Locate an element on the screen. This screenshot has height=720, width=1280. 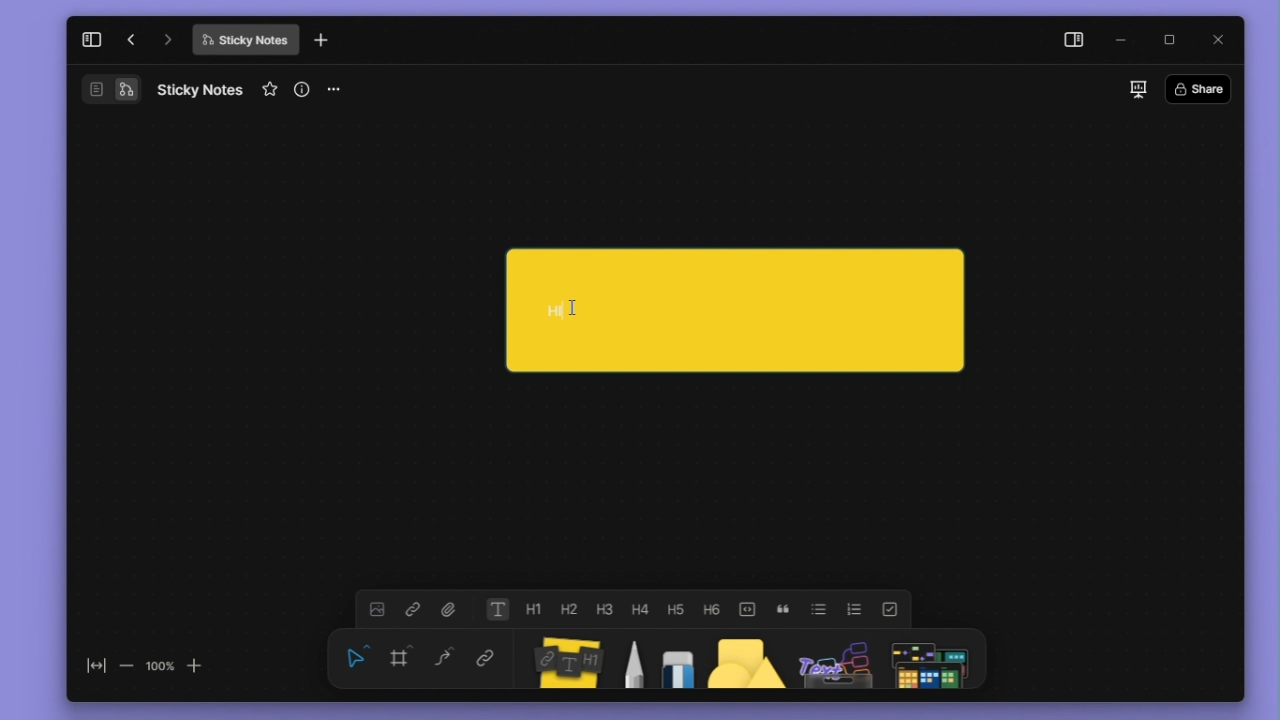
zoom out is located at coordinates (126, 661).